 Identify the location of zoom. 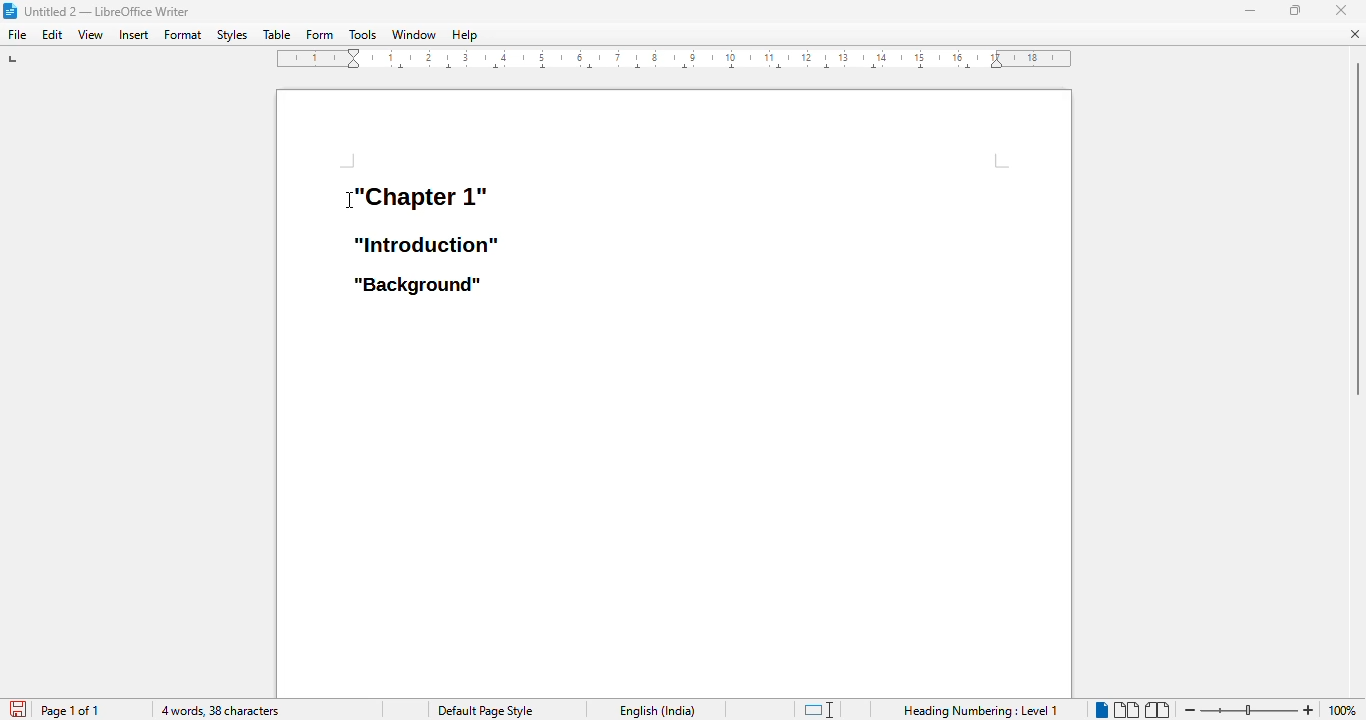
(1247, 710).